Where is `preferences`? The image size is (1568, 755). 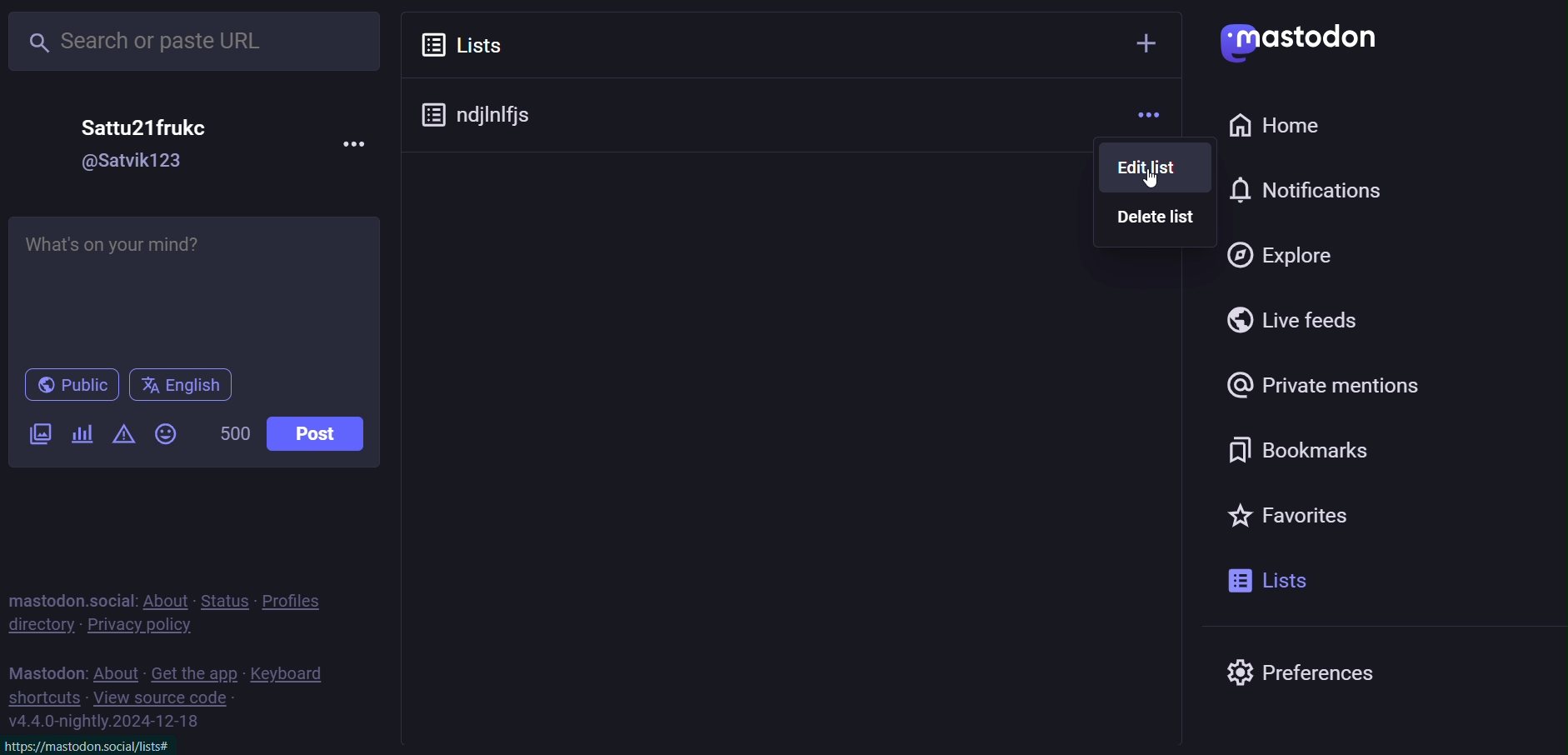 preferences is located at coordinates (1301, 667).